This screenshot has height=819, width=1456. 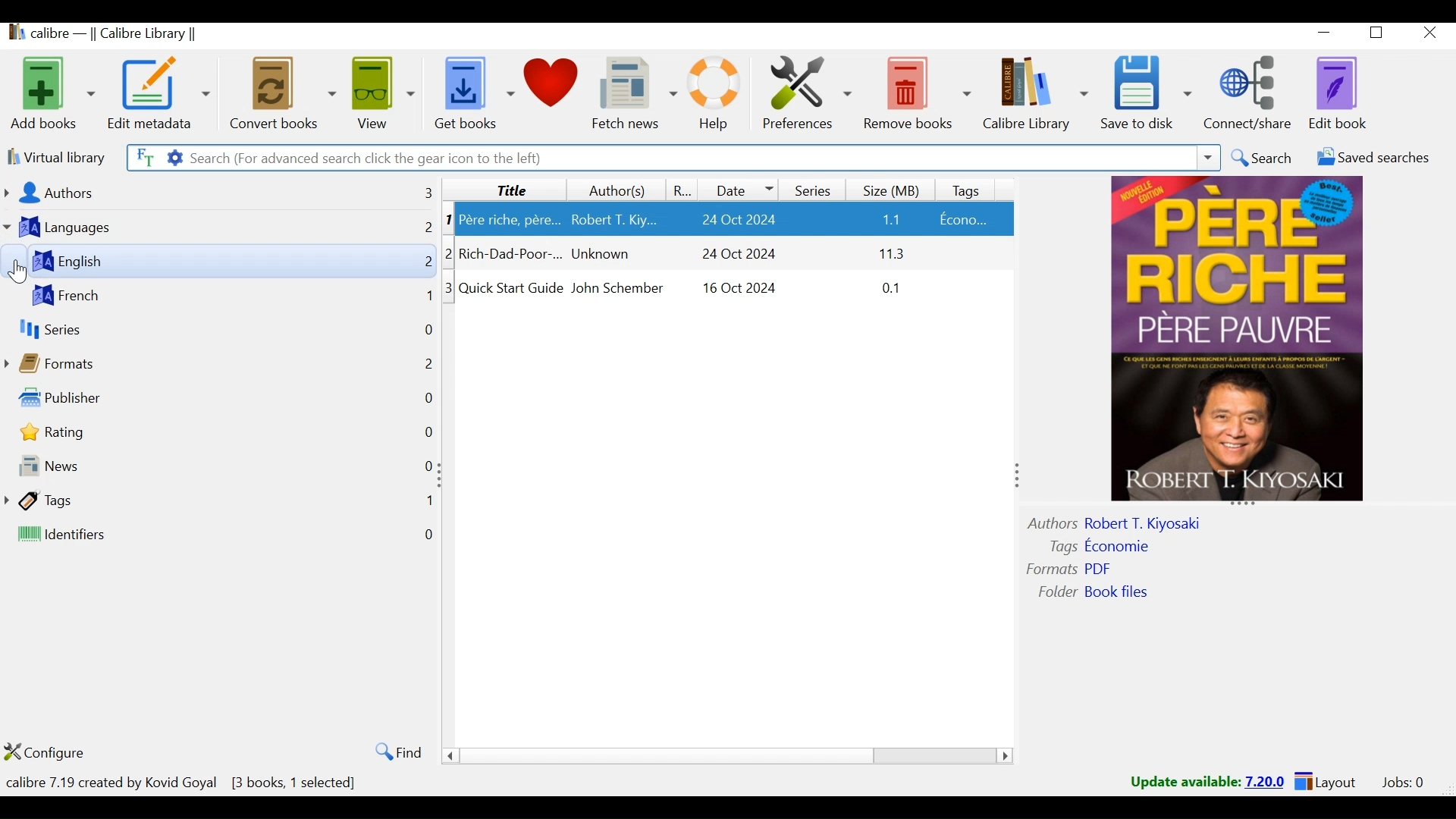 What do you see at coordinates (1146, 93) in the screenshot?
I see `Save to disk` at bounding box center [1146, 93].